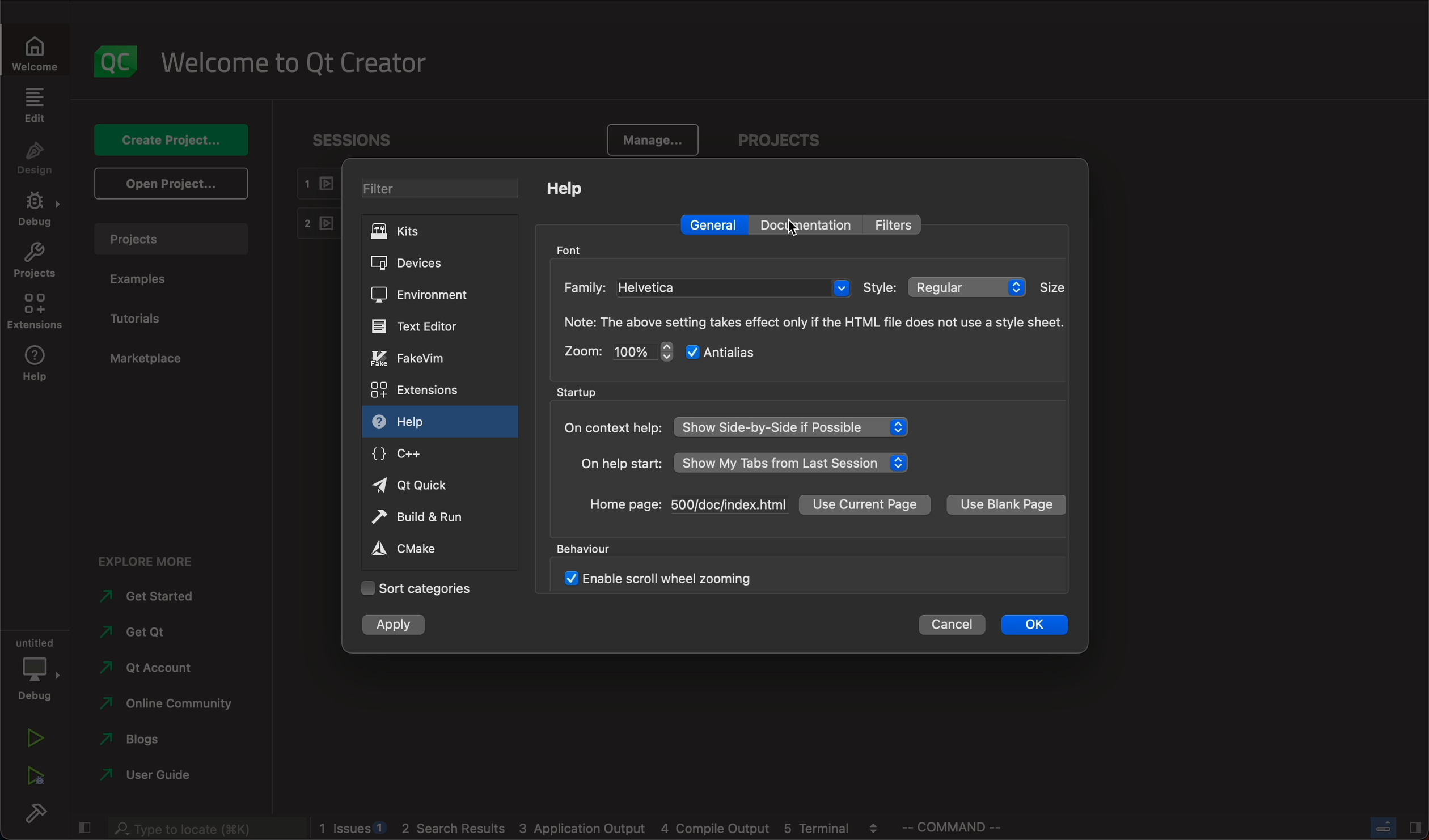  I want to click on get qt, so click(150, 633).